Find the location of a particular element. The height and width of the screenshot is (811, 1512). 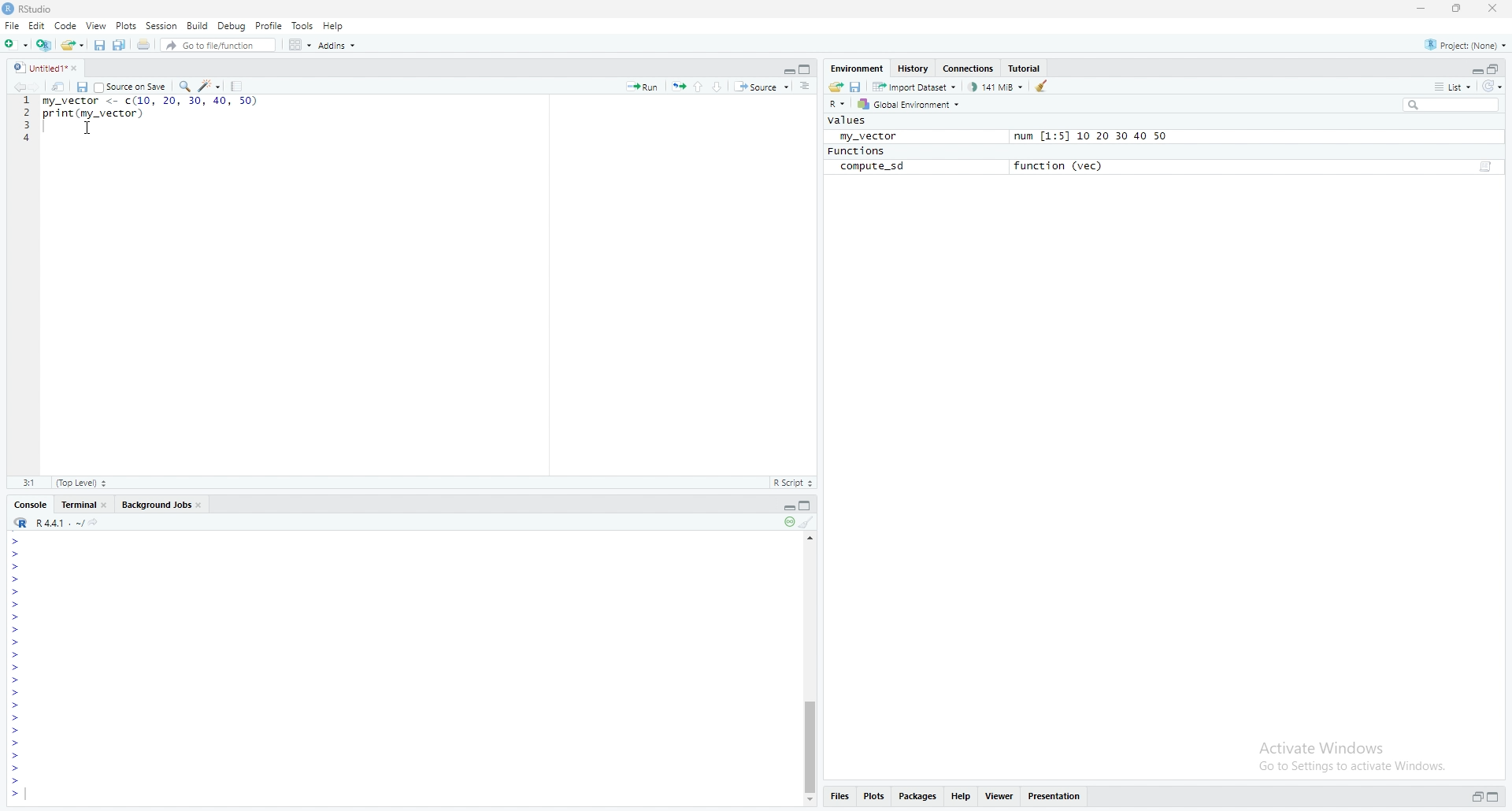

Up is located at coordinates (812, 536).